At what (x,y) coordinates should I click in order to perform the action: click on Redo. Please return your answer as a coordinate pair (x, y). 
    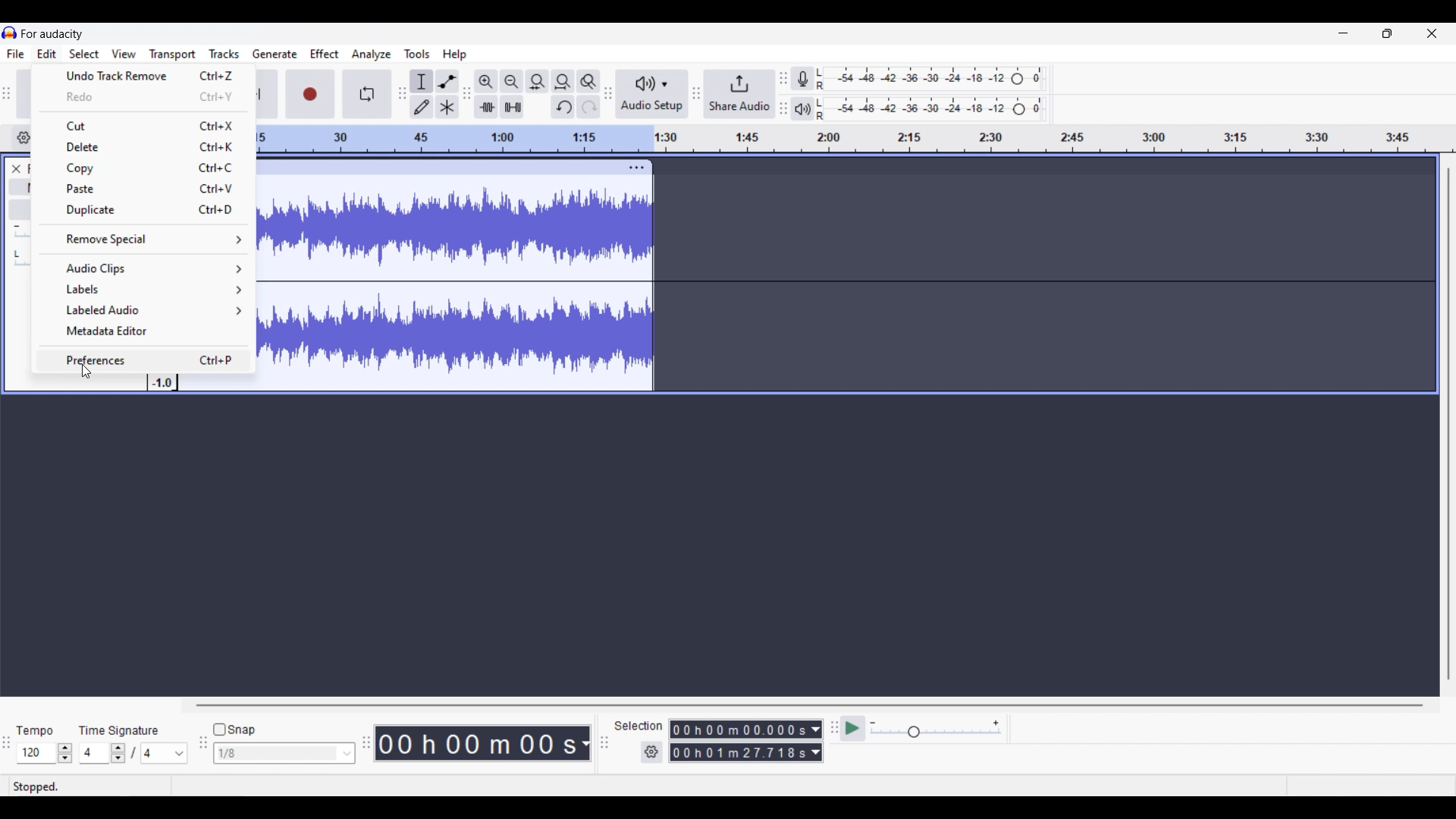
    Looking at the image, I should click on (588, 107).